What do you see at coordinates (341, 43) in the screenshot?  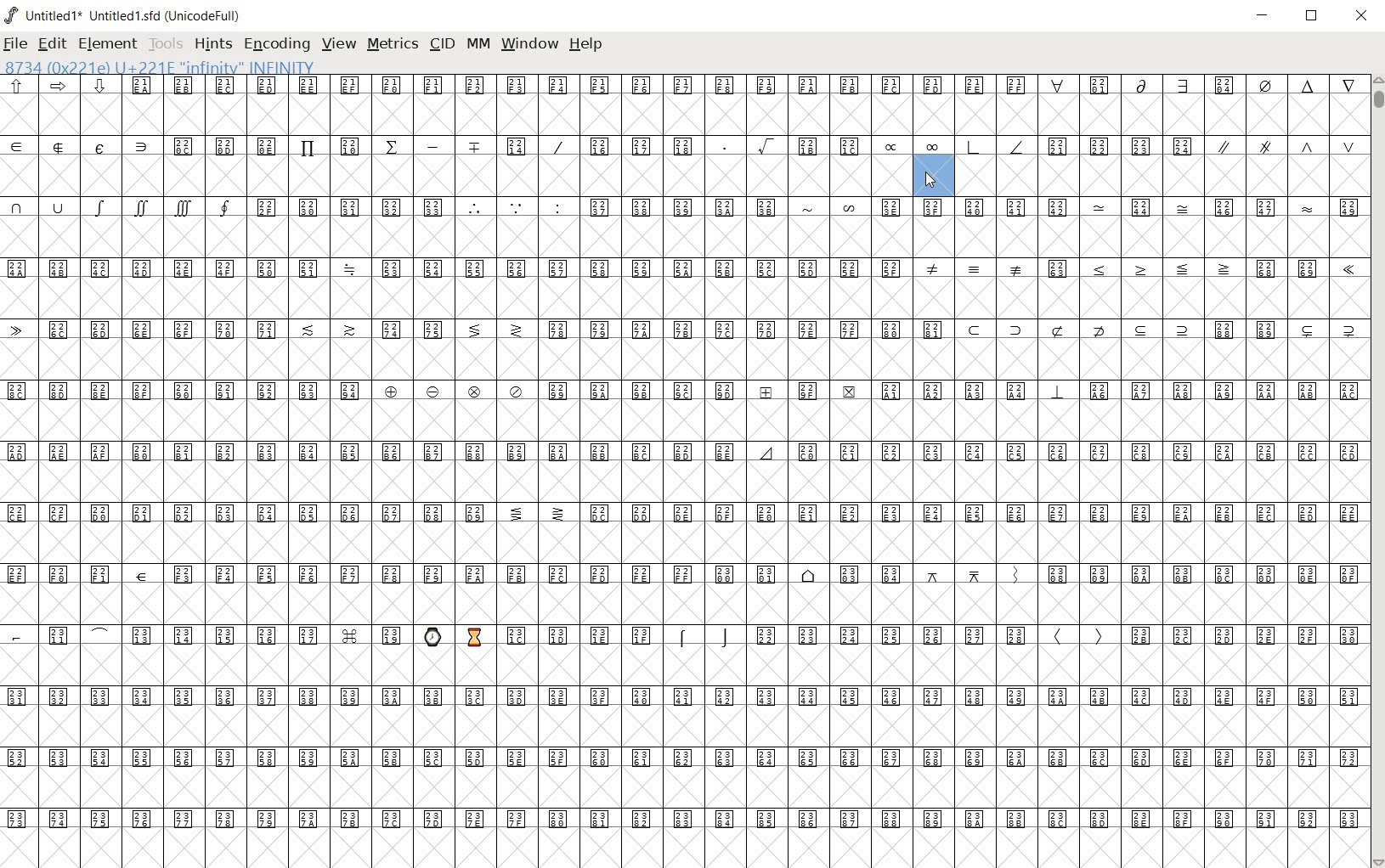 I see `view` at bounding box center [341, 43].